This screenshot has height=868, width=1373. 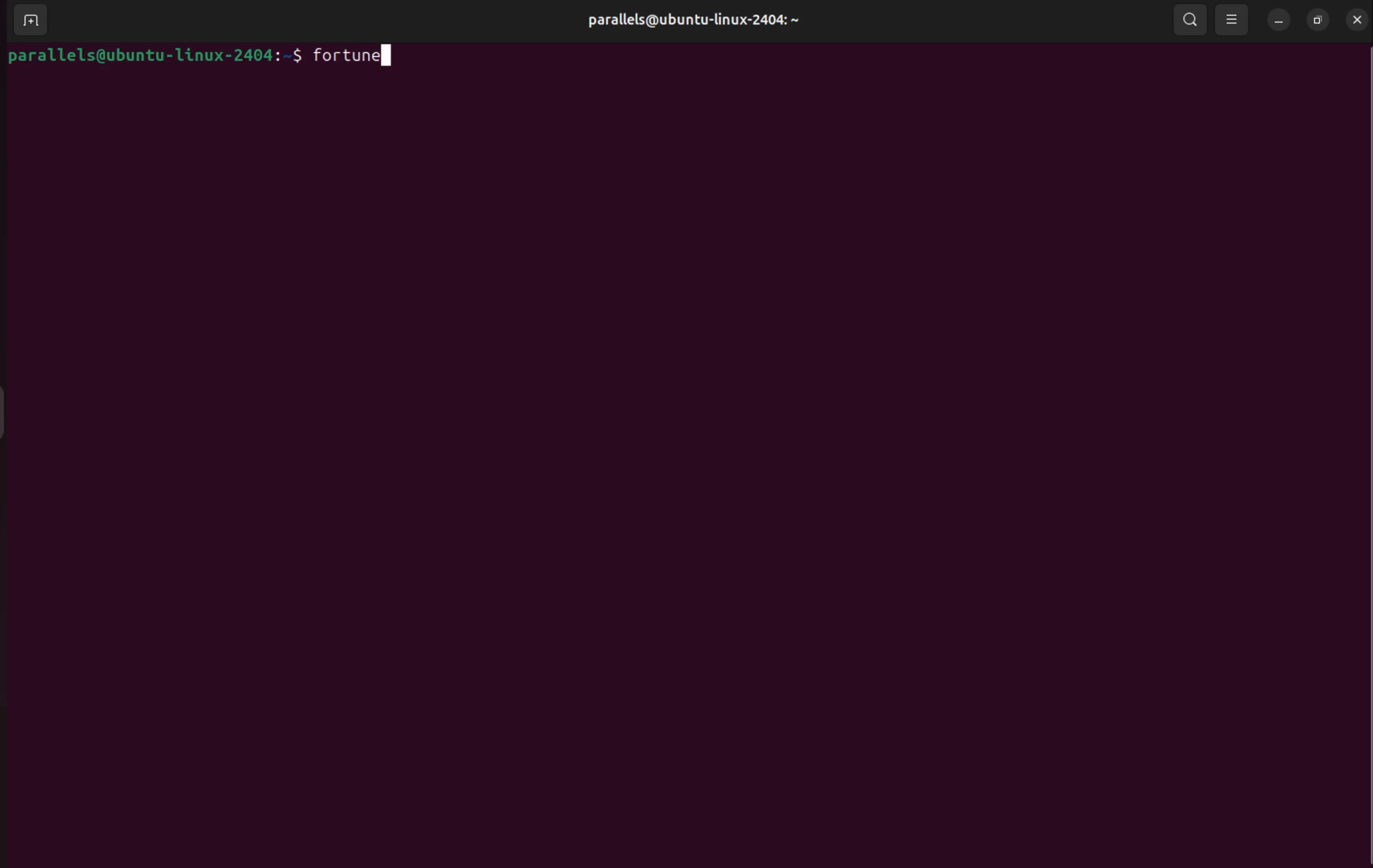 I want to click on parallels@ubuntu, so click(x=689, y=18).